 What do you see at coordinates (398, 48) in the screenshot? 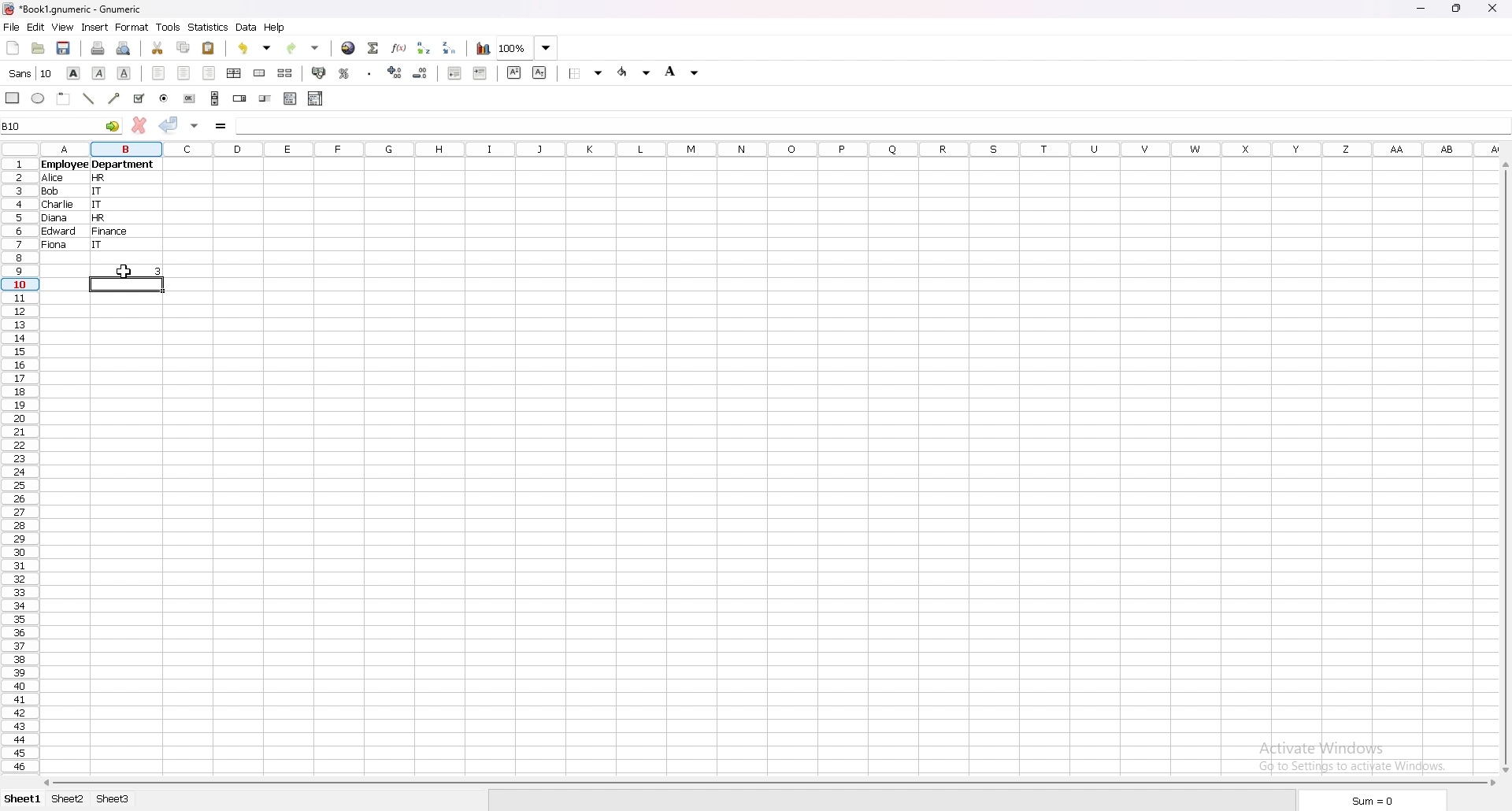
I see `function` at bounding box center [398, 48].